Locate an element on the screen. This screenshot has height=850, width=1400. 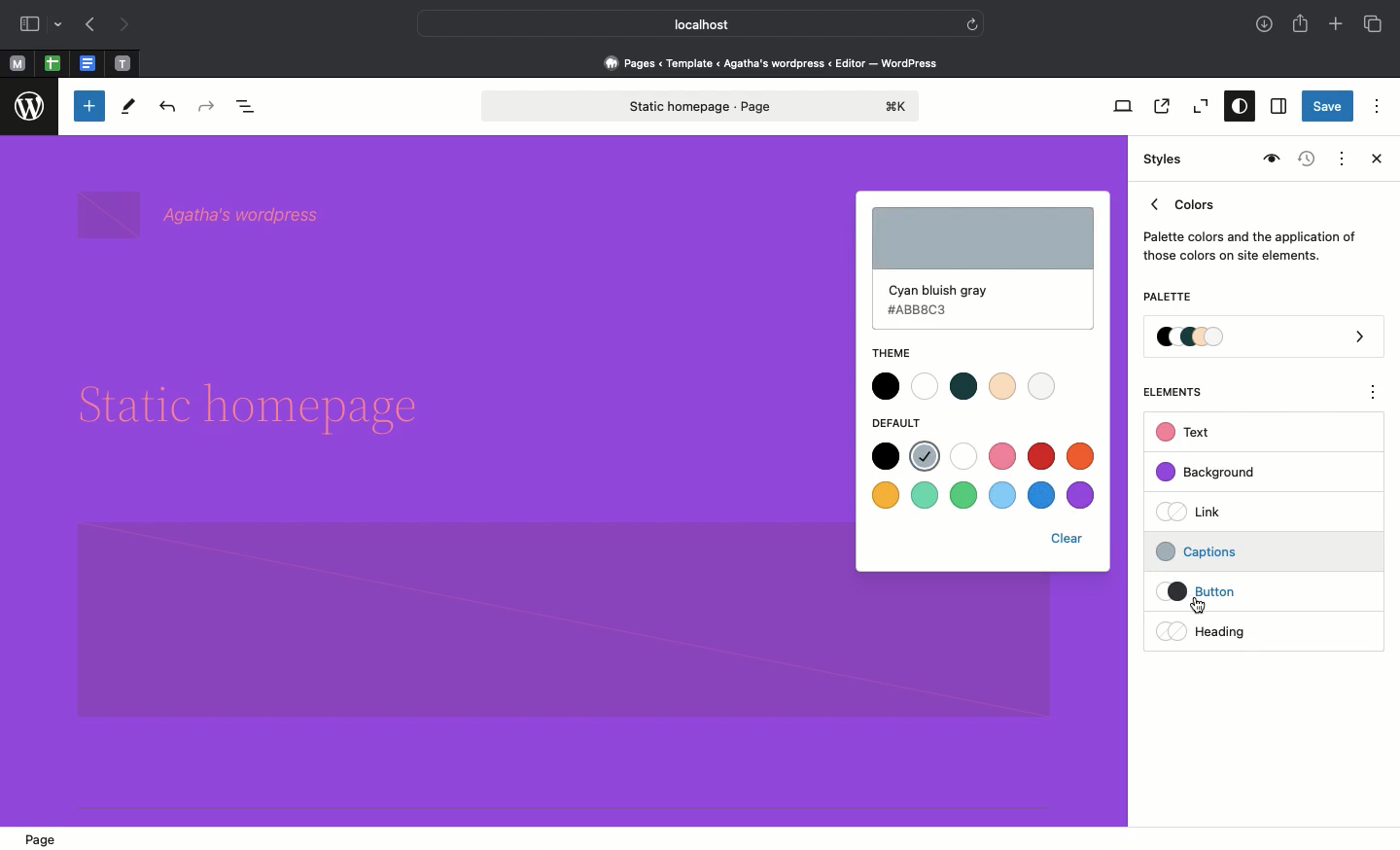
View page is located at coordinates (1160, 106).